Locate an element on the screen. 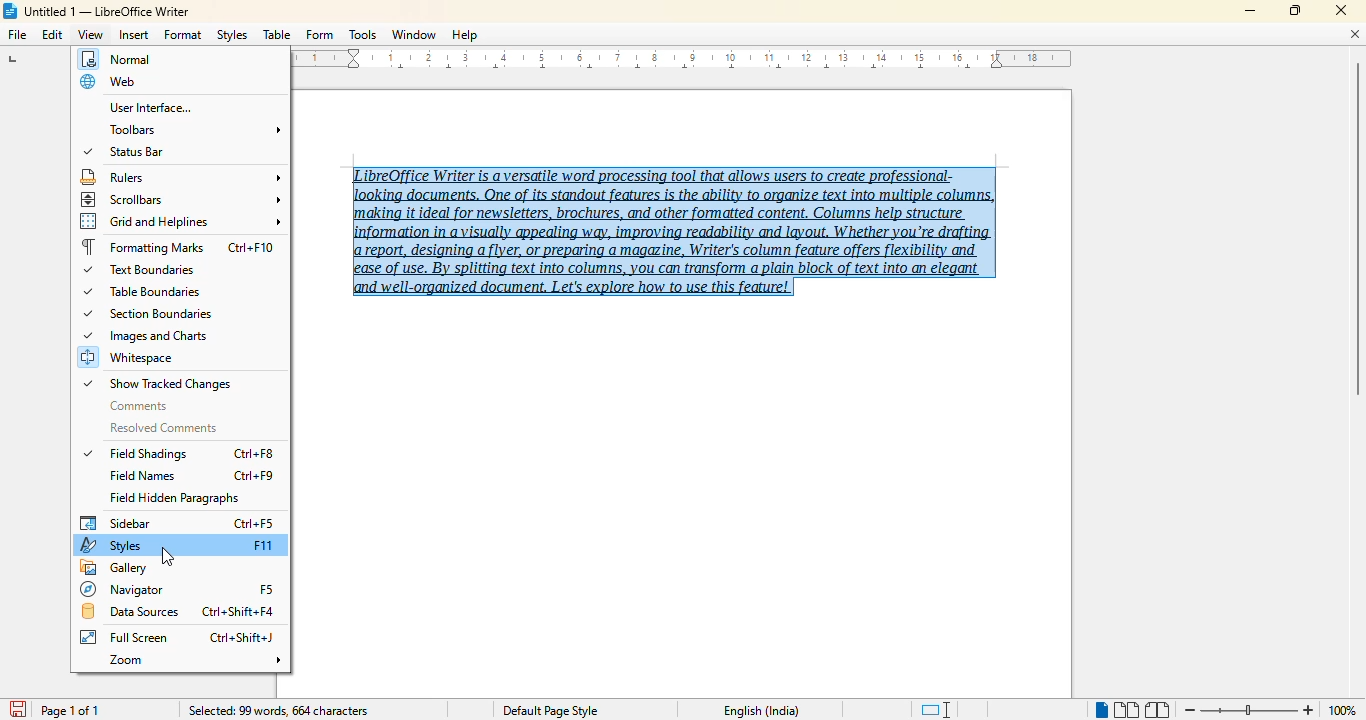 This screenshot has width=1366, height=720. status bar is located at coordinates (124, 152).